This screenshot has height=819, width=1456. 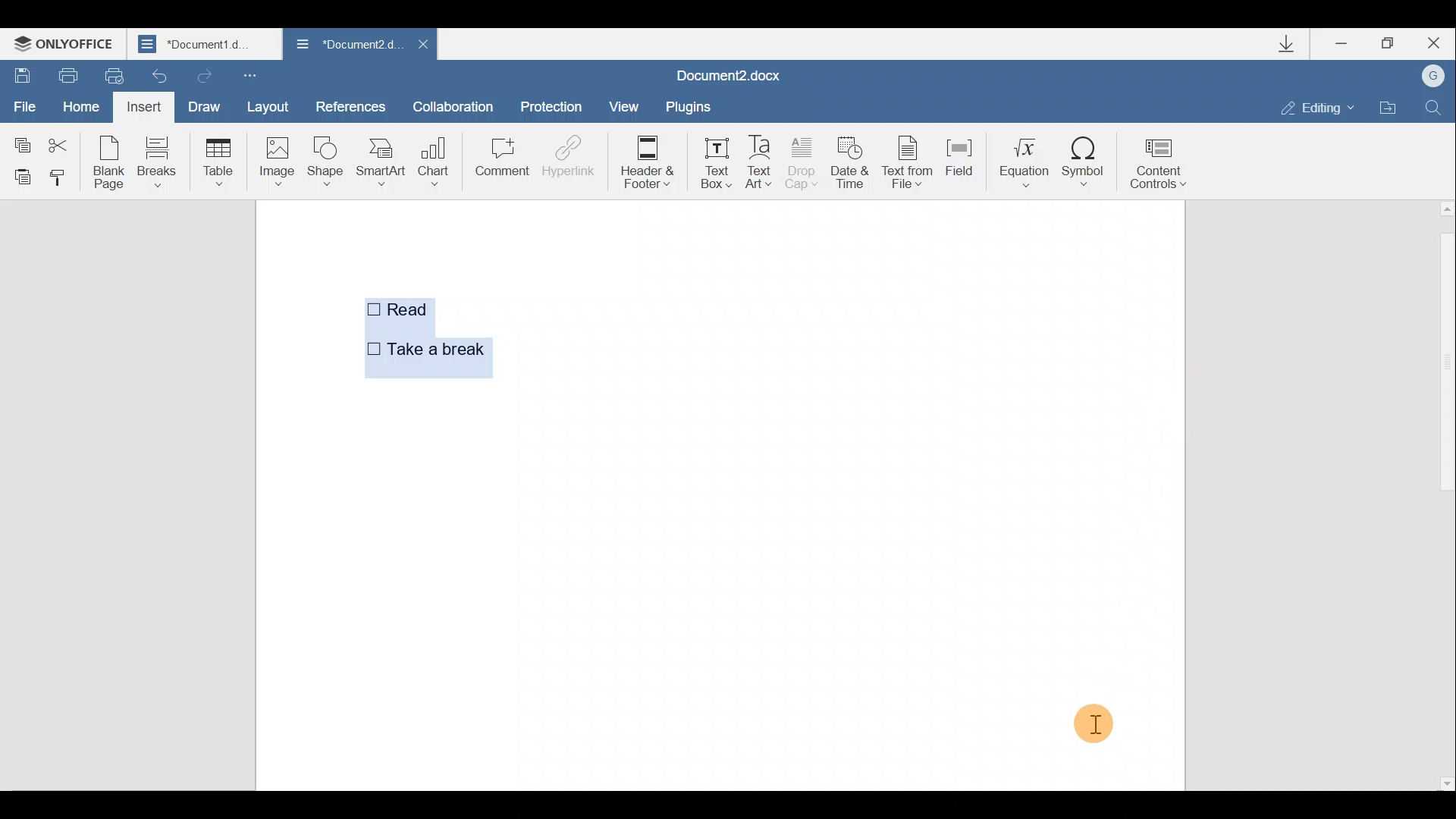 What do you see at coordinates (959, 163) in the screenshot?
I see `Field` at bounding box center [959, 163].